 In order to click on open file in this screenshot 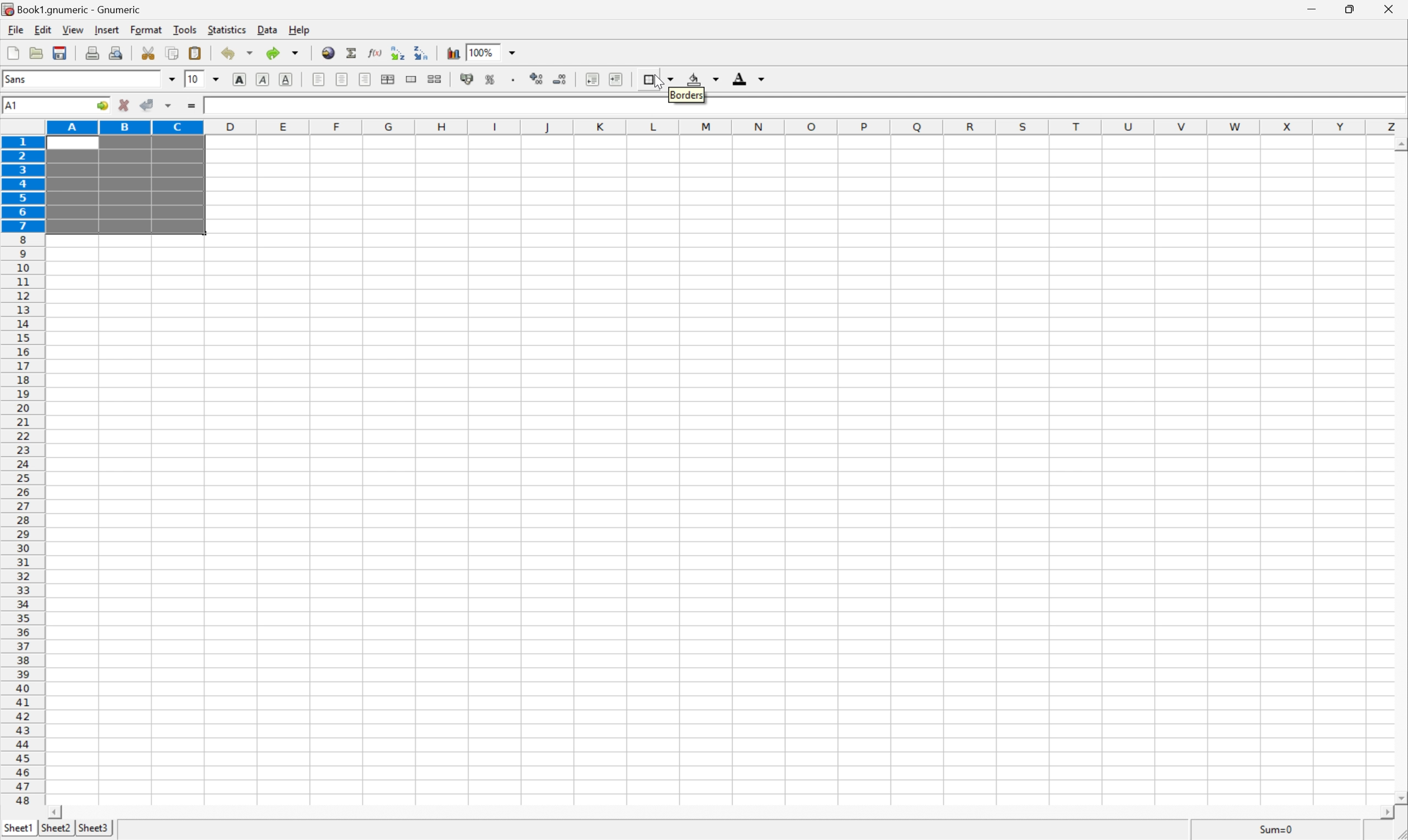, I will do `click(38, 51)`.